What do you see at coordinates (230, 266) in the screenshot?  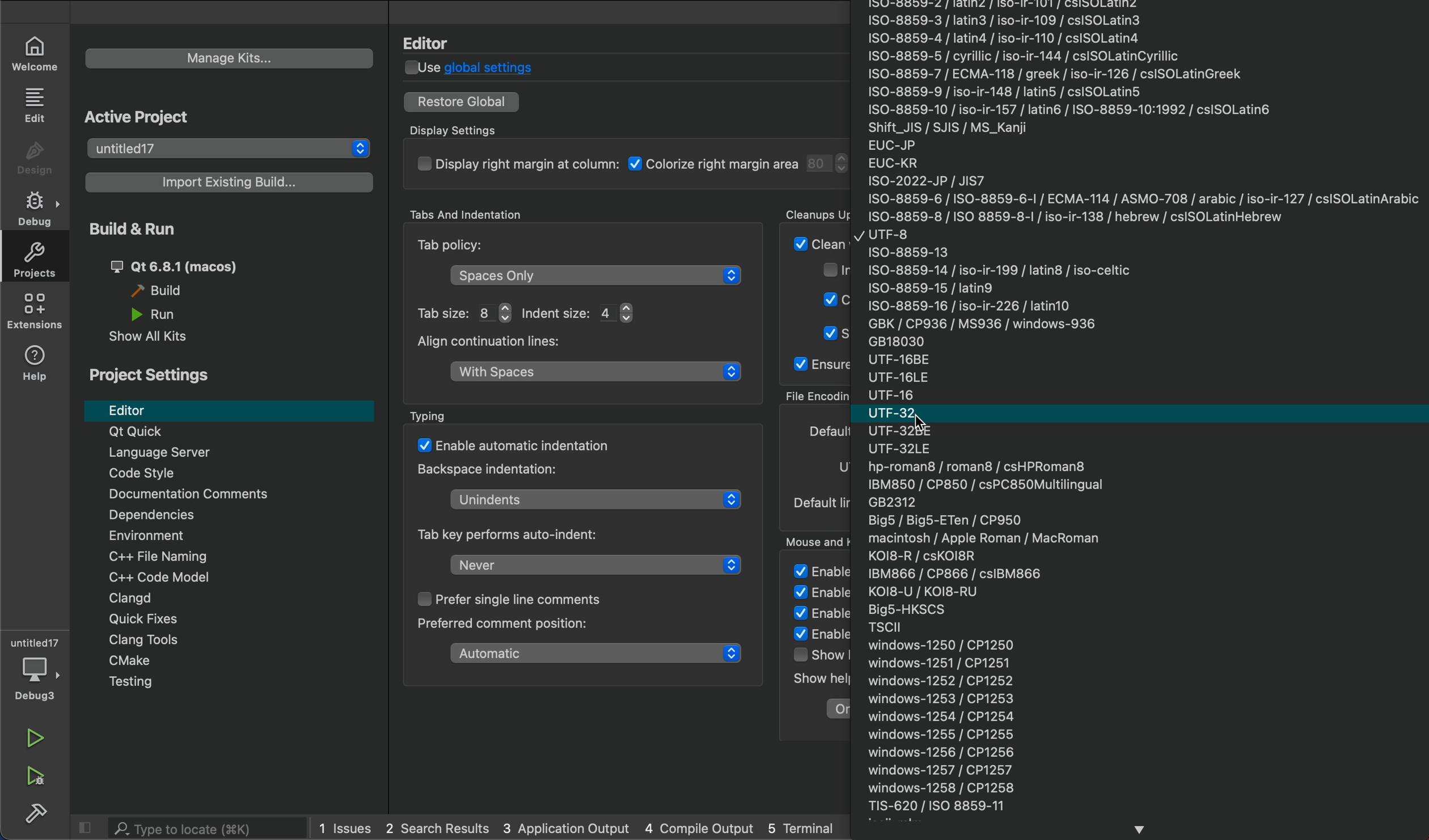 I see `build and run` at bounding box center [230, 266].